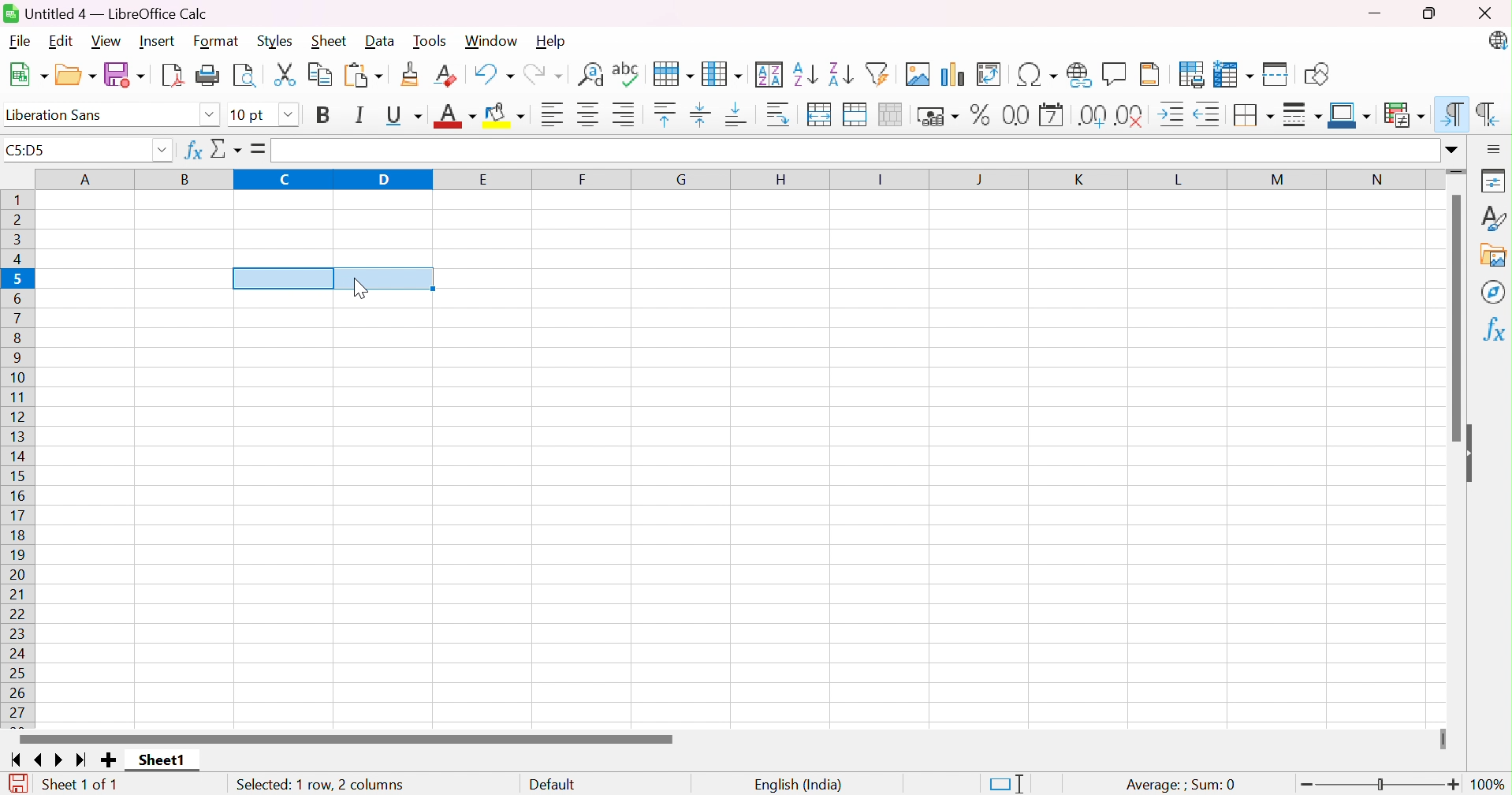  What do you see at coordinates (978, 116) in the screenshot?
I see `Format as Percent` at bounding box center [978, 116].